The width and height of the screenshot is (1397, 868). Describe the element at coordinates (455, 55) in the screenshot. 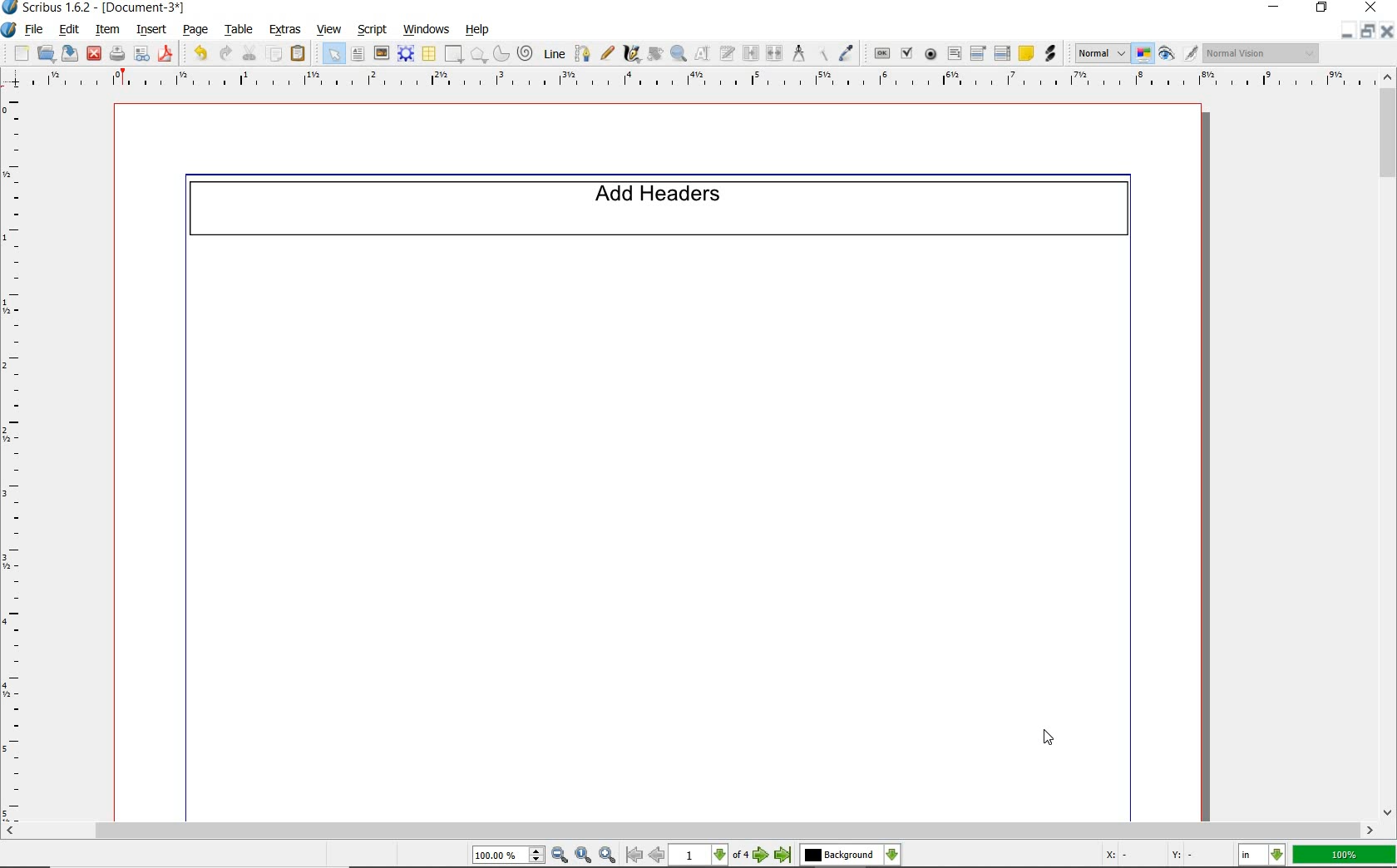

I see `shape` at that location.